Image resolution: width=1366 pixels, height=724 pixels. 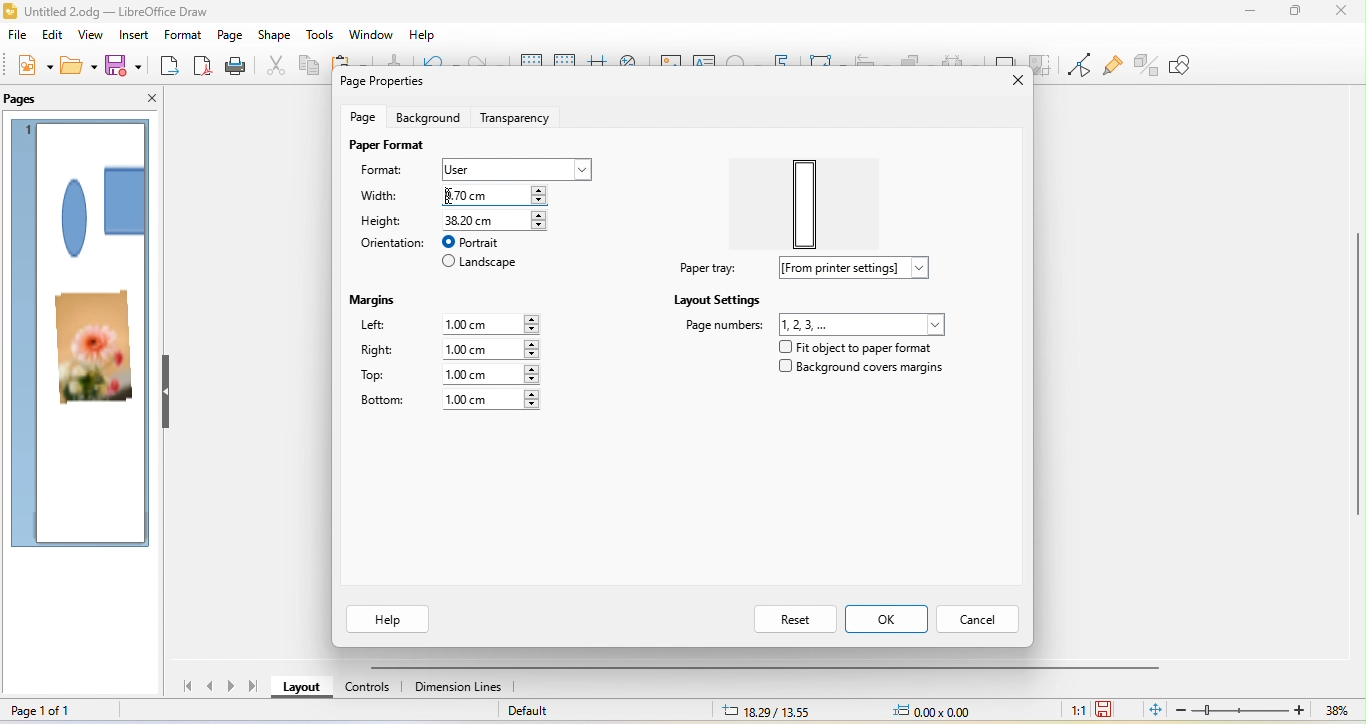 I want to click on from printer settings, so click(x=850, y=269).